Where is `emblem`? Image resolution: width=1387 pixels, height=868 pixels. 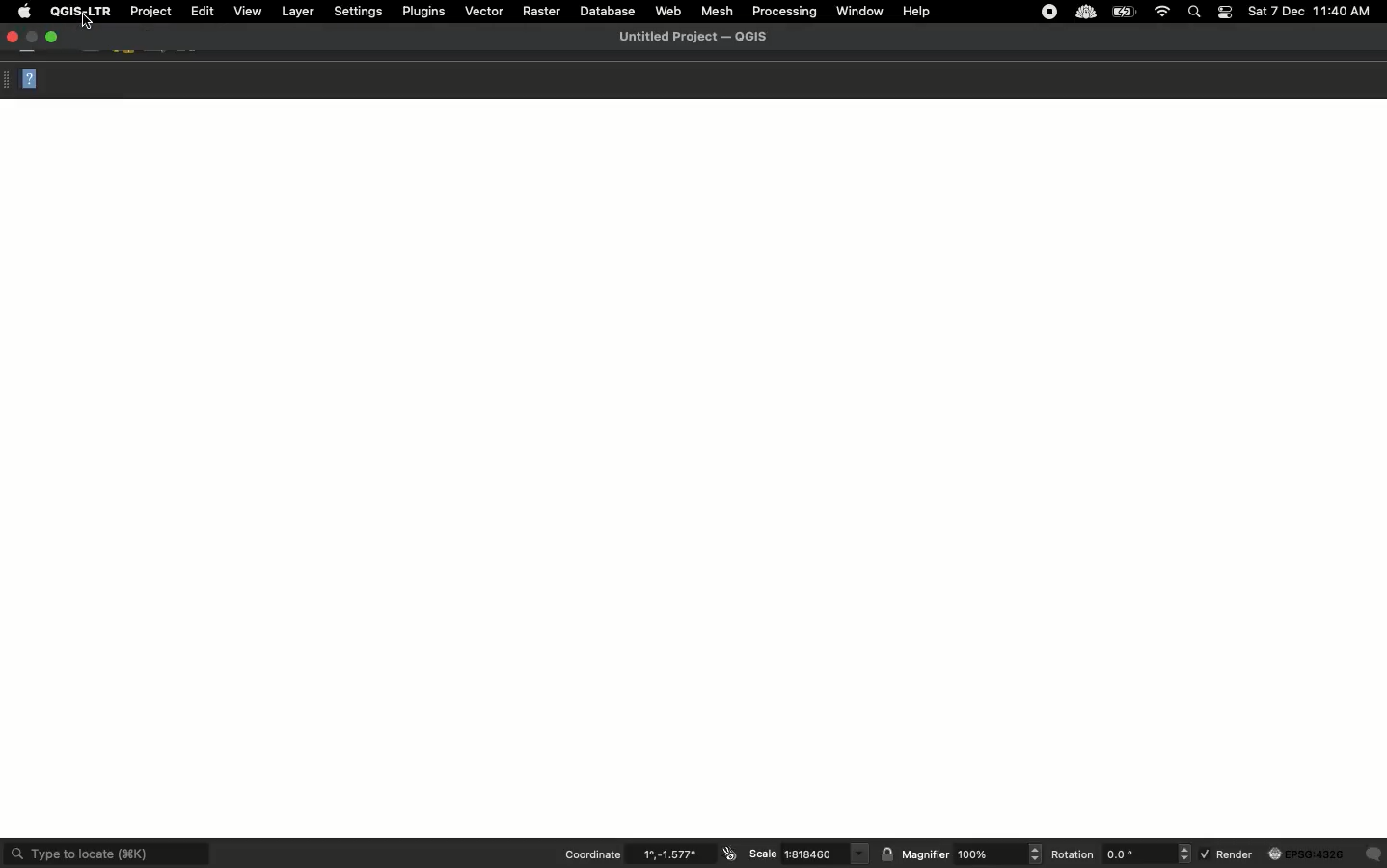
emblem is located at coordinates (887, 854).